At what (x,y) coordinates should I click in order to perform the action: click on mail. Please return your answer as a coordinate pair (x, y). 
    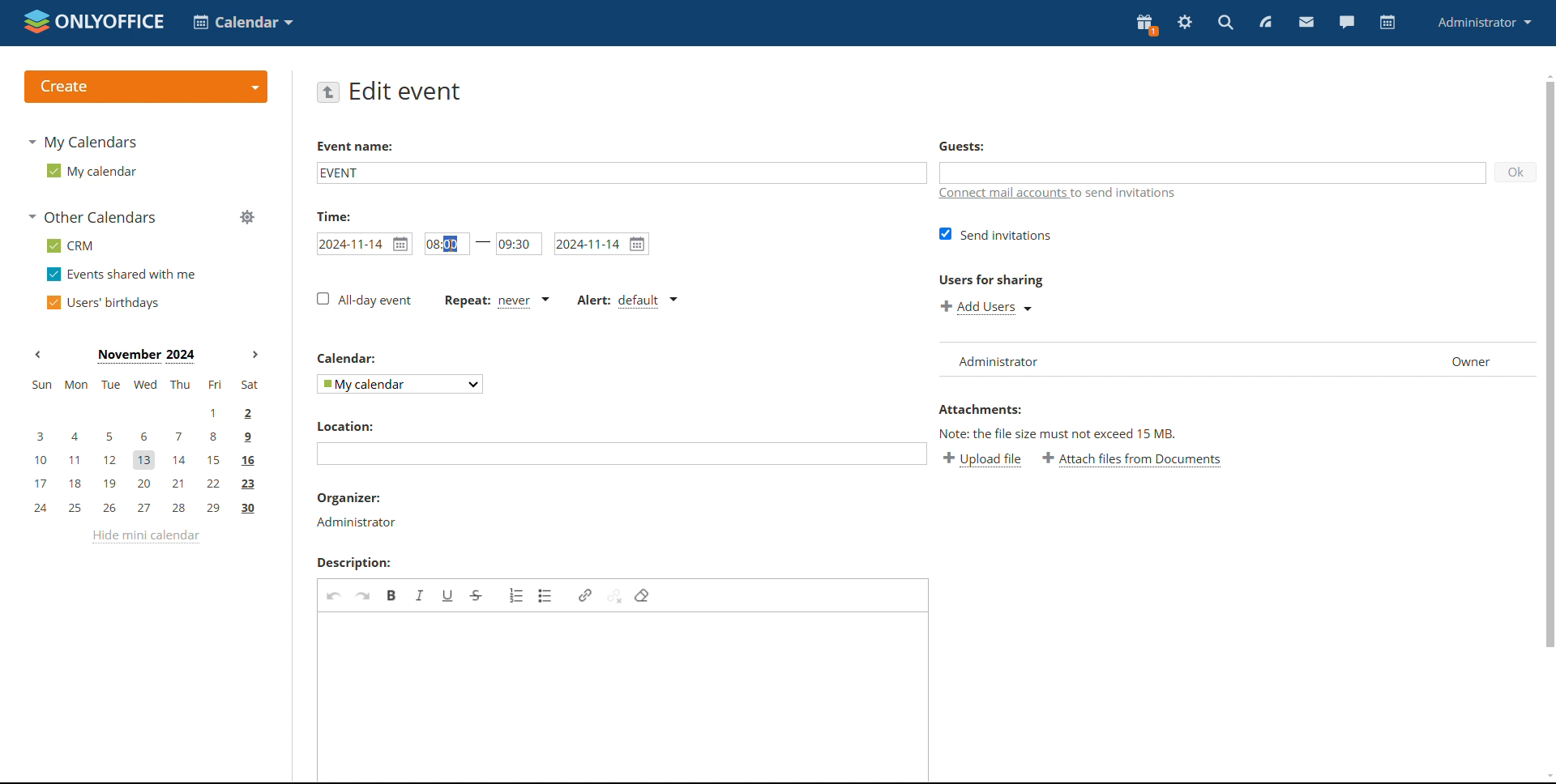
    Looking at the image, I should click on (1306, 22).